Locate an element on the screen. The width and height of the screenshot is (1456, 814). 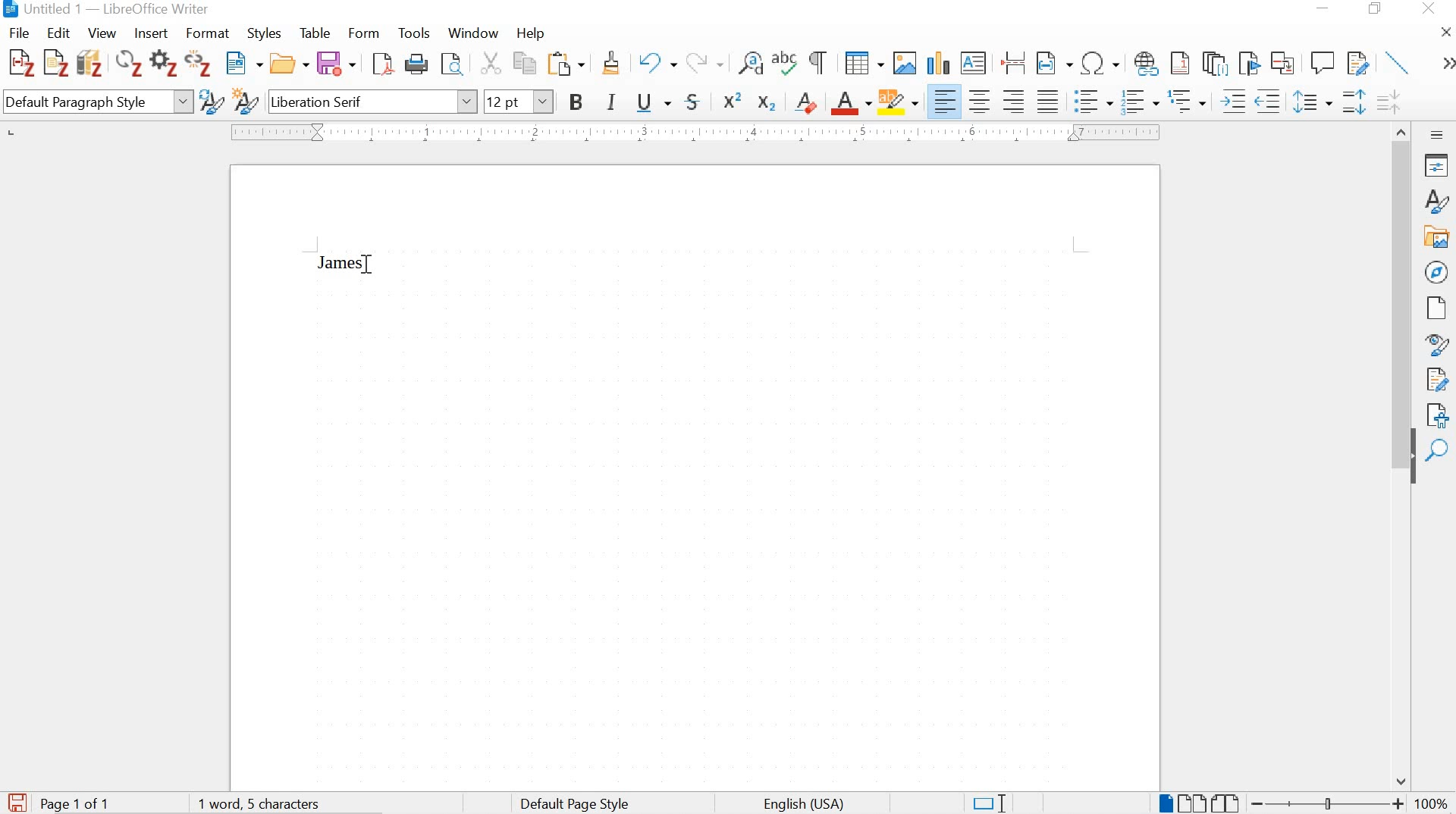
hide sidebar is located at coordinates (1412, 465).